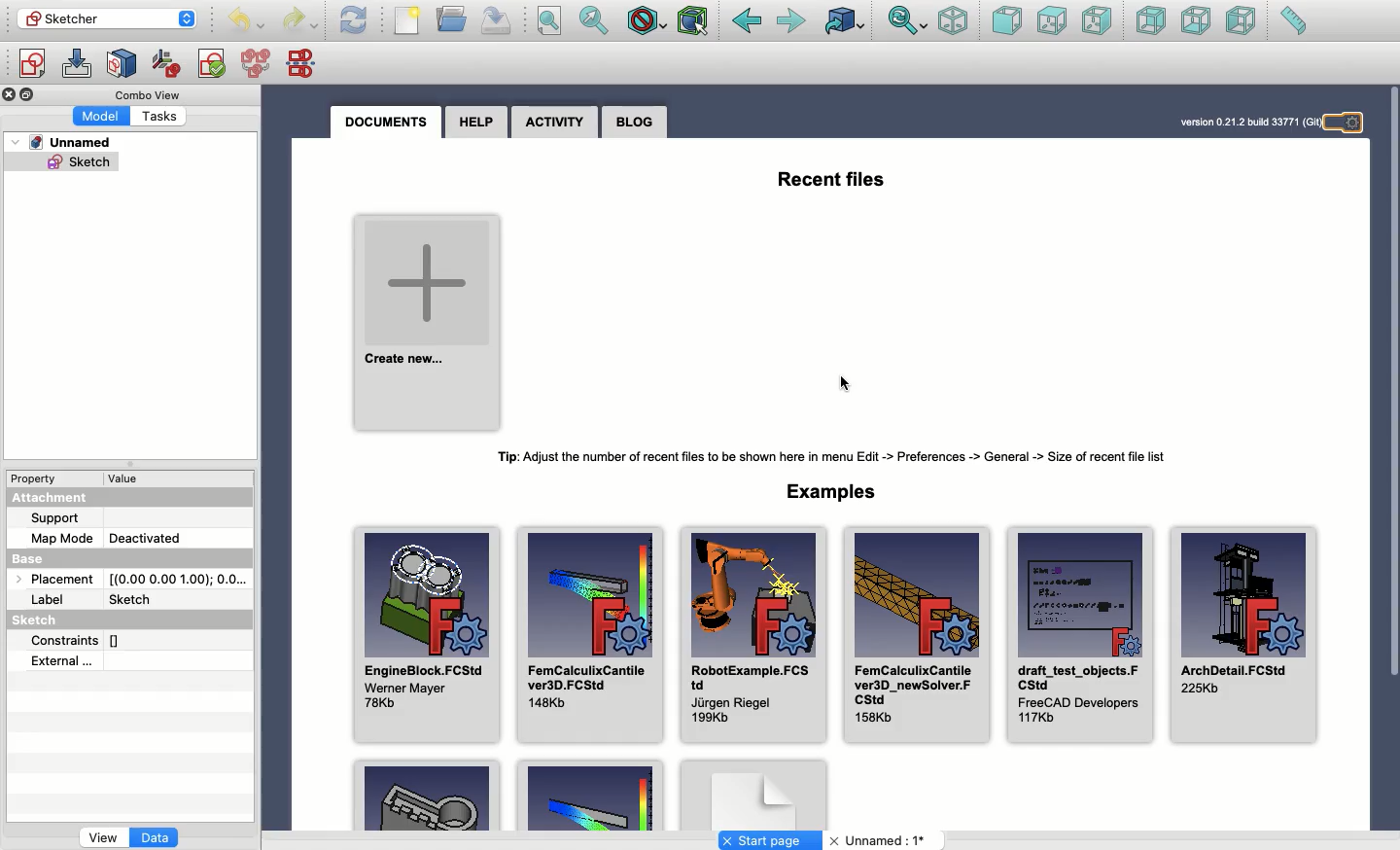 This screenshot has width=1400, height=850. Describe the element at coordinates (428, 322) in the screenshot. I see `Create new` at that location.